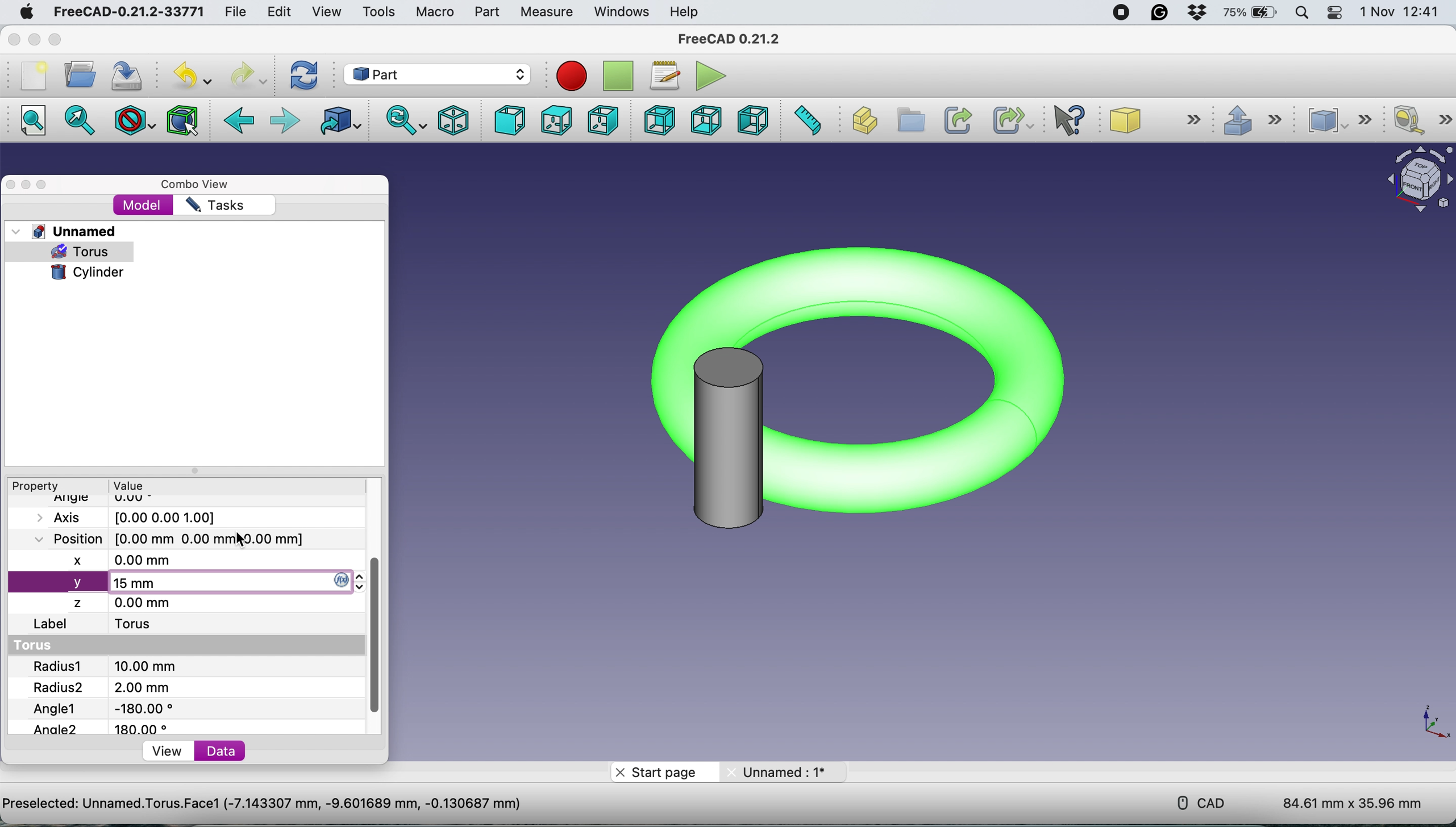 The height and width of the screenshot is (827, 1456). I want to click on execute macros, so click(714, 77).